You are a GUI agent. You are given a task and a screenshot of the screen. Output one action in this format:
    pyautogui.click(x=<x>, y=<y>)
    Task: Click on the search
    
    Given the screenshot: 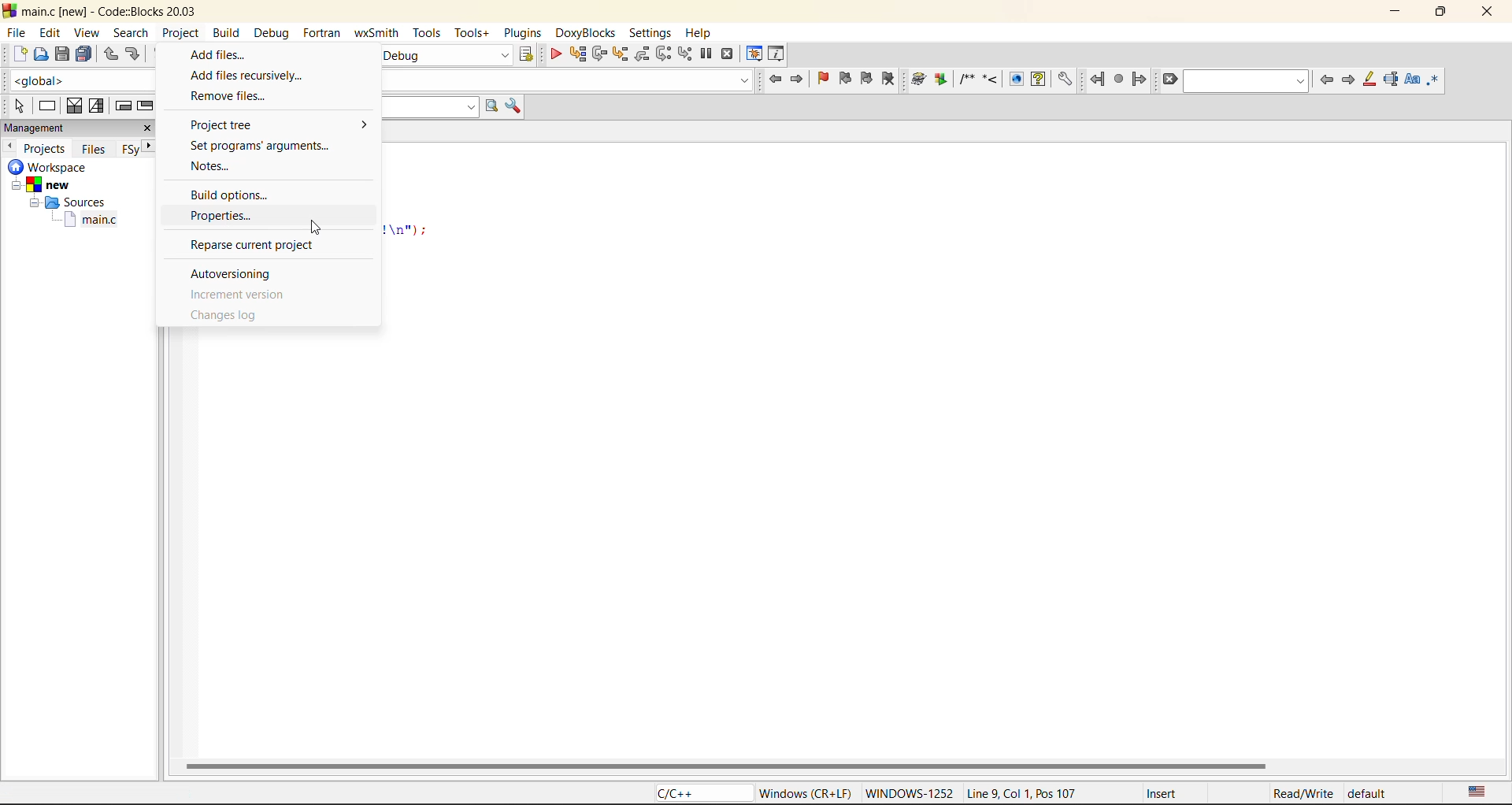 What is the action you would take?
    pyautogui.click(x=1247, y=82)
    